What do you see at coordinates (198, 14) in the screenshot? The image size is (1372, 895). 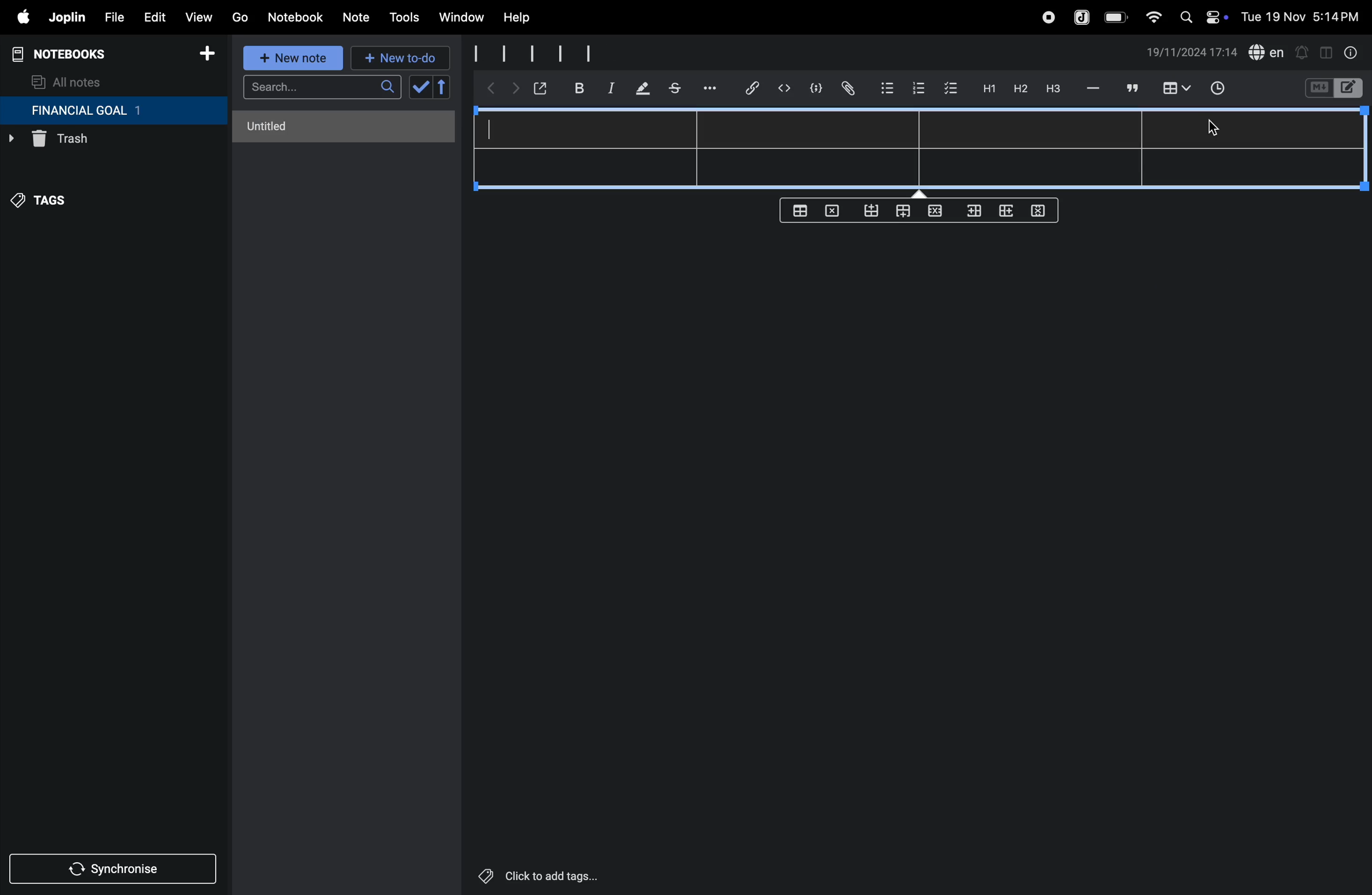 I see `view` at bounding box center [198, 14].